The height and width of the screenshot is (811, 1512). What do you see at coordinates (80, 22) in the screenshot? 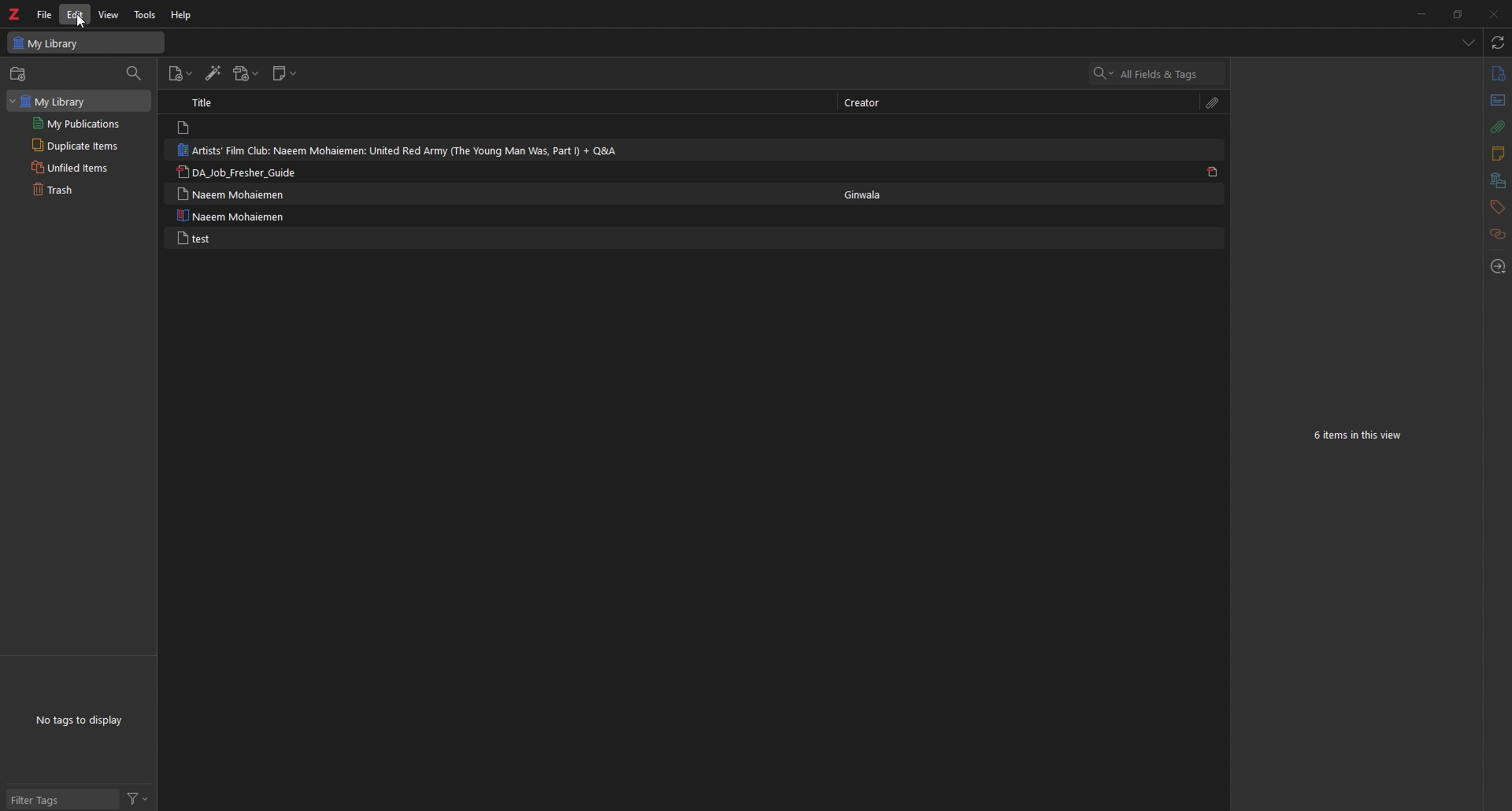
I see `cursor` at bounding box center [80, 22].